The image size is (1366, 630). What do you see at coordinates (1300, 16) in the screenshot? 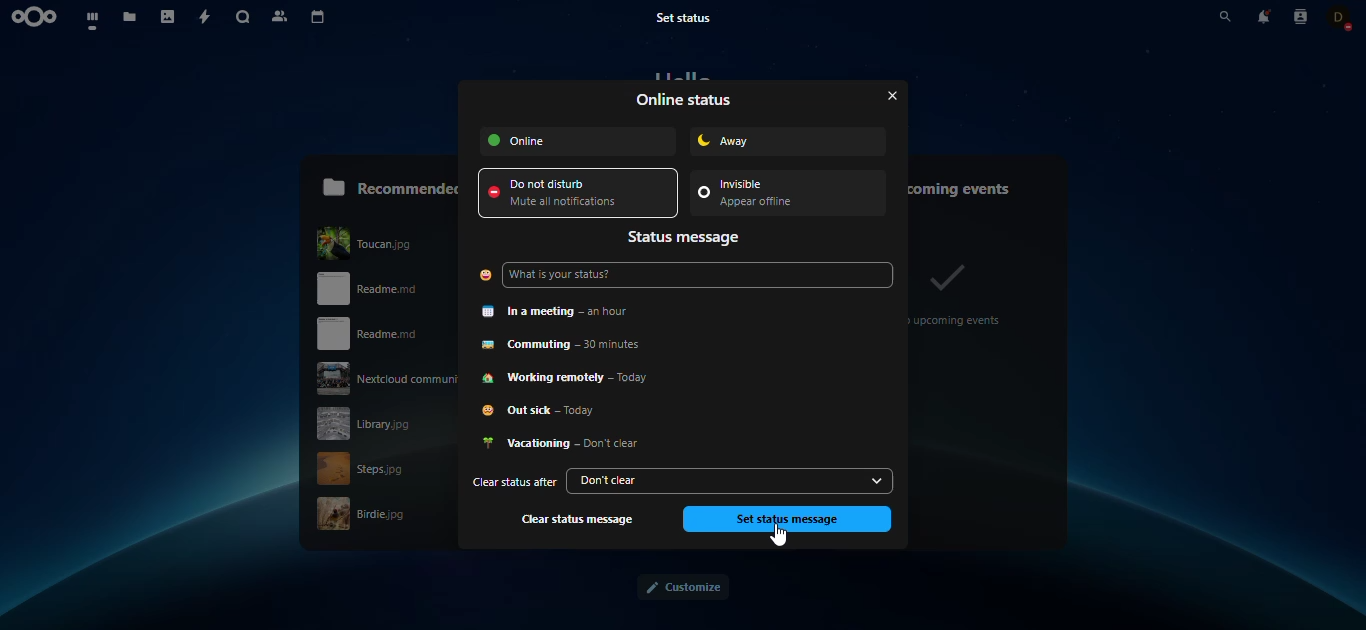
I see `contacts` at bounding box center [1300, 16].